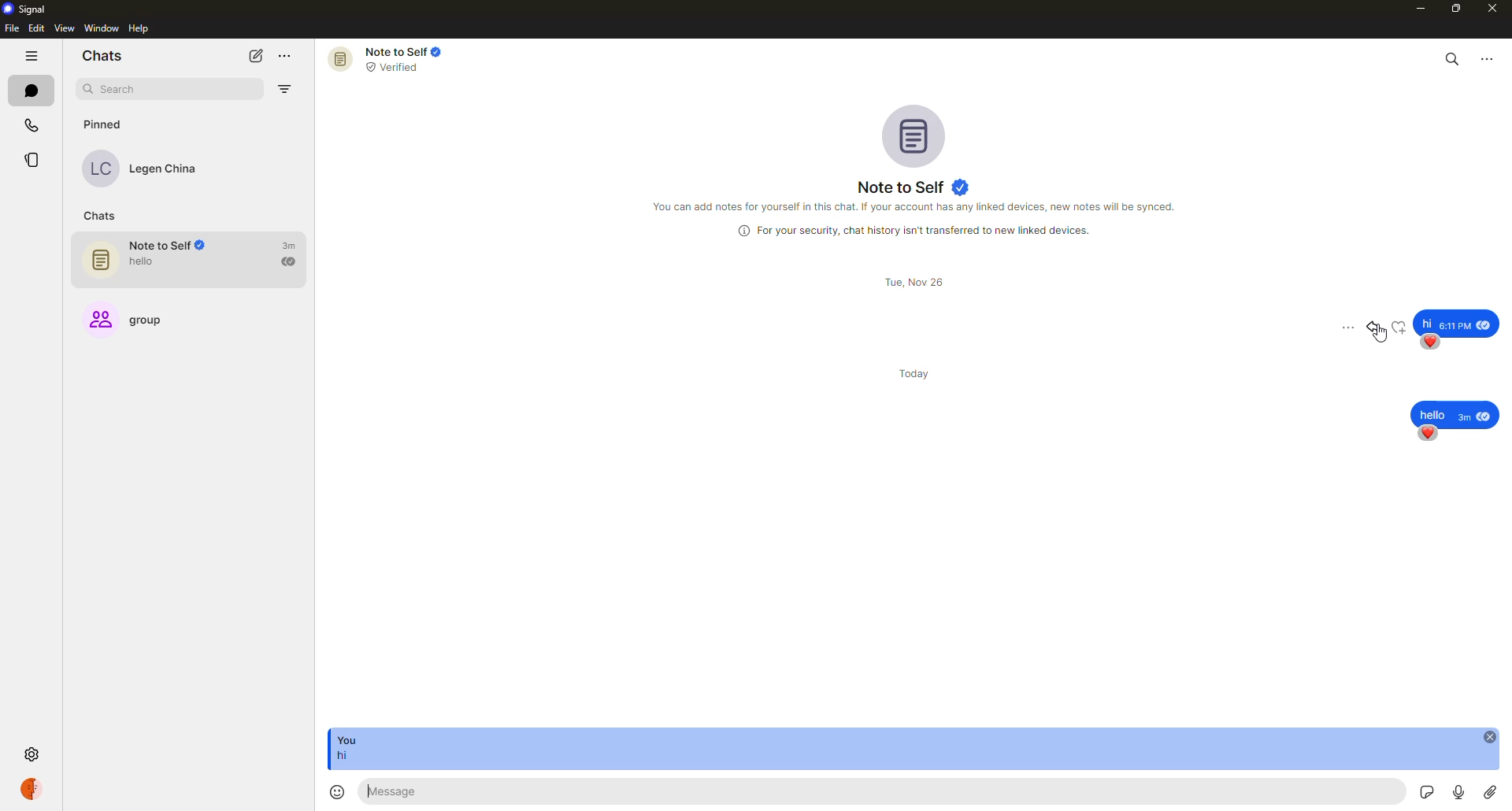  I want to click on signal, so click(26, 9).